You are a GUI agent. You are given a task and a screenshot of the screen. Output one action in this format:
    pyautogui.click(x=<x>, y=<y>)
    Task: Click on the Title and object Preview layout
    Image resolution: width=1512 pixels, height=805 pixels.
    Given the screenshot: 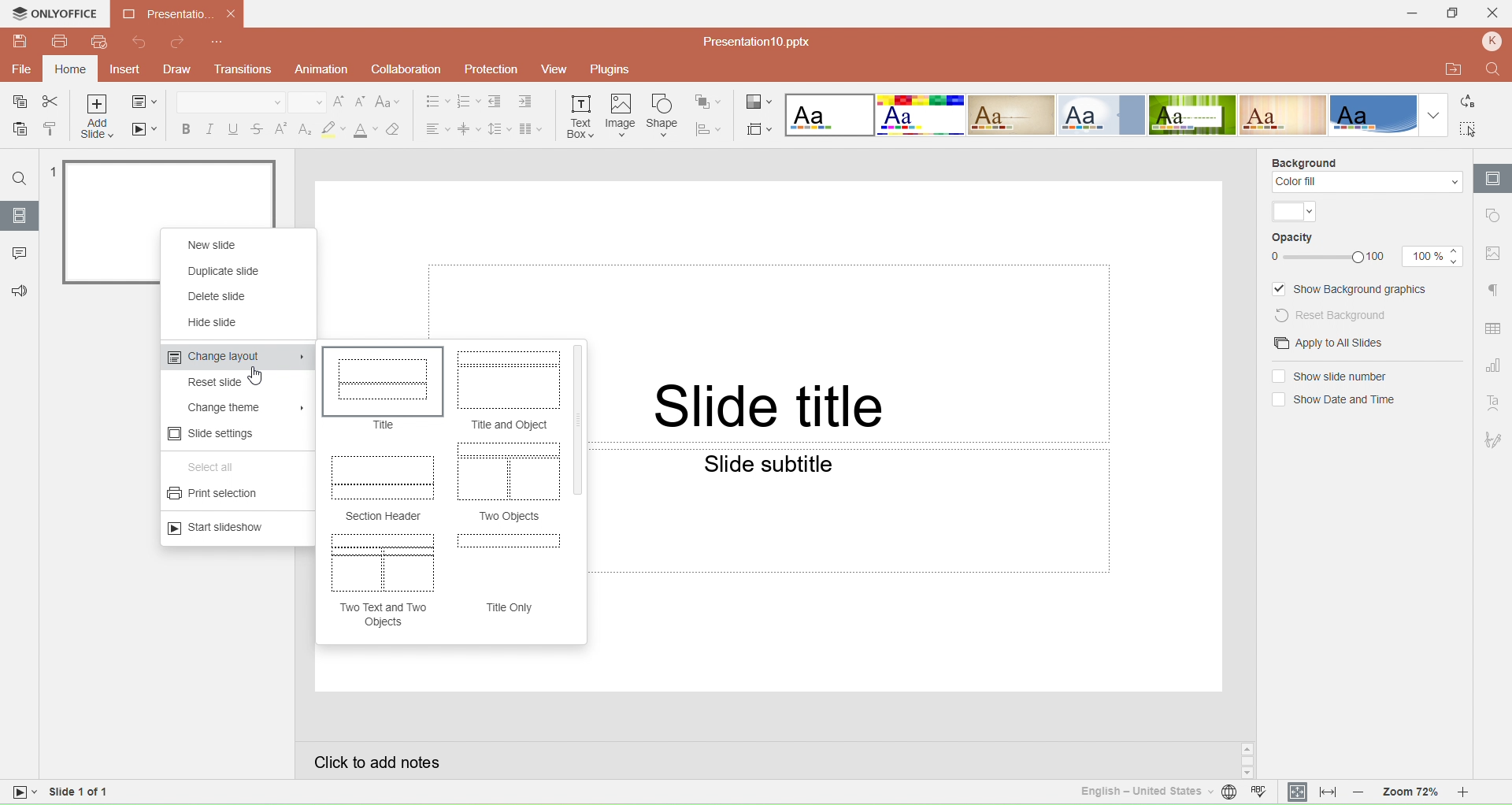 What is the action you would take?
    pyautogui.click(x=507, y=381)
    